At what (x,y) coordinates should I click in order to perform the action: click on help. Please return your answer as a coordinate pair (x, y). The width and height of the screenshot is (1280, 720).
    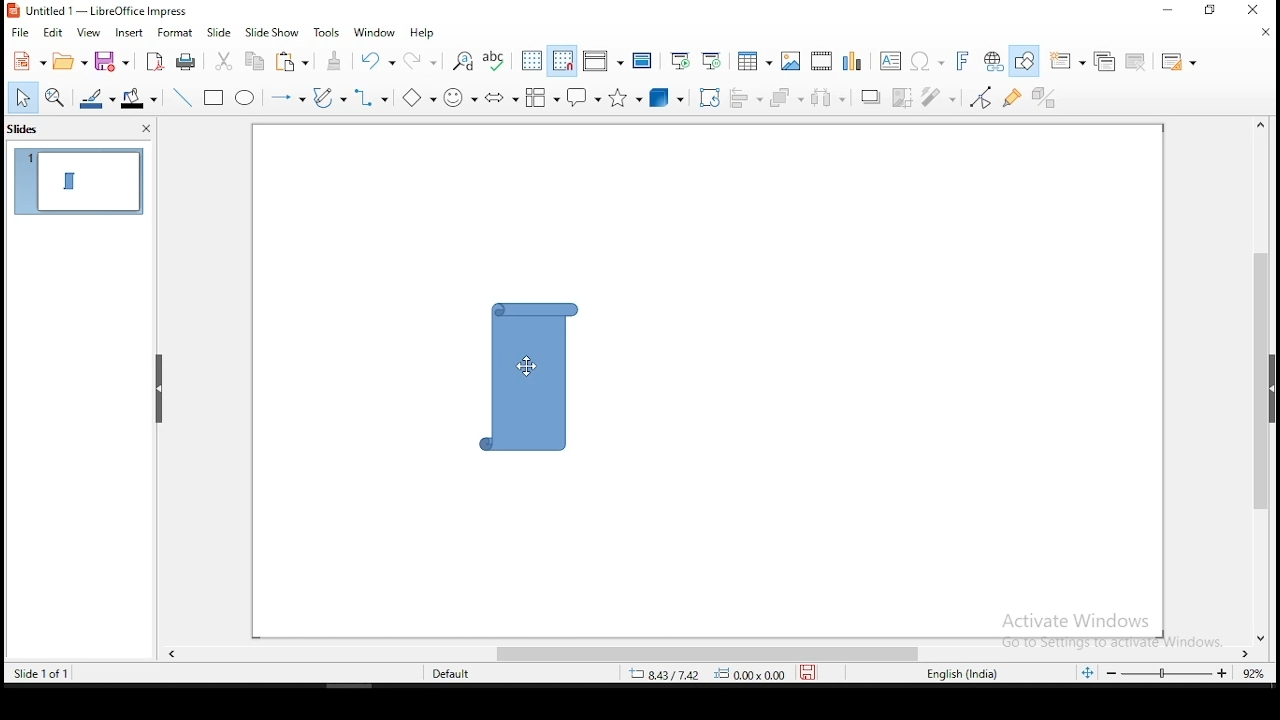
    Looking at the image, I should click on (424, 32).